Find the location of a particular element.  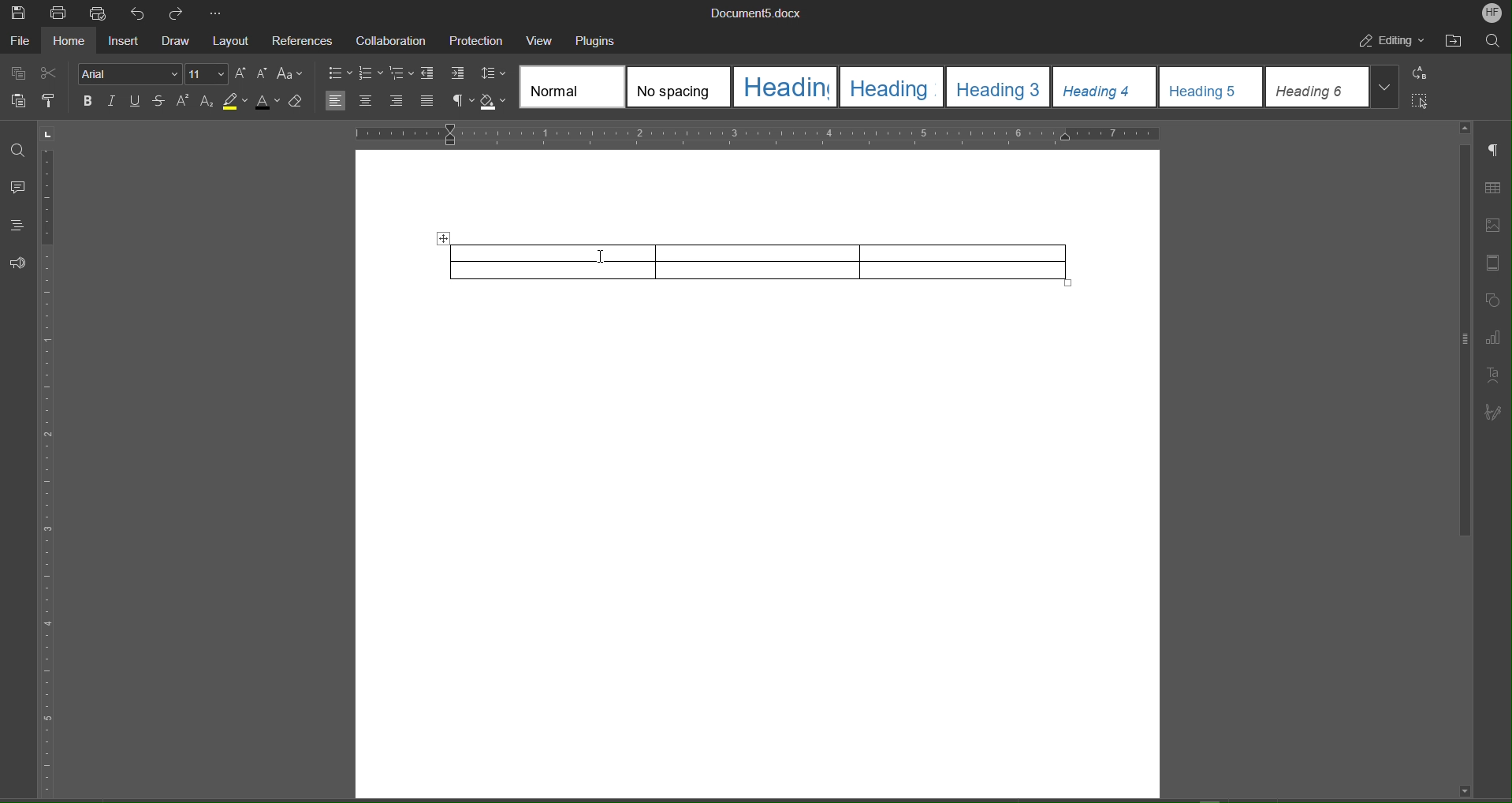

Graph Settings is located at coordinates (1496, 335).